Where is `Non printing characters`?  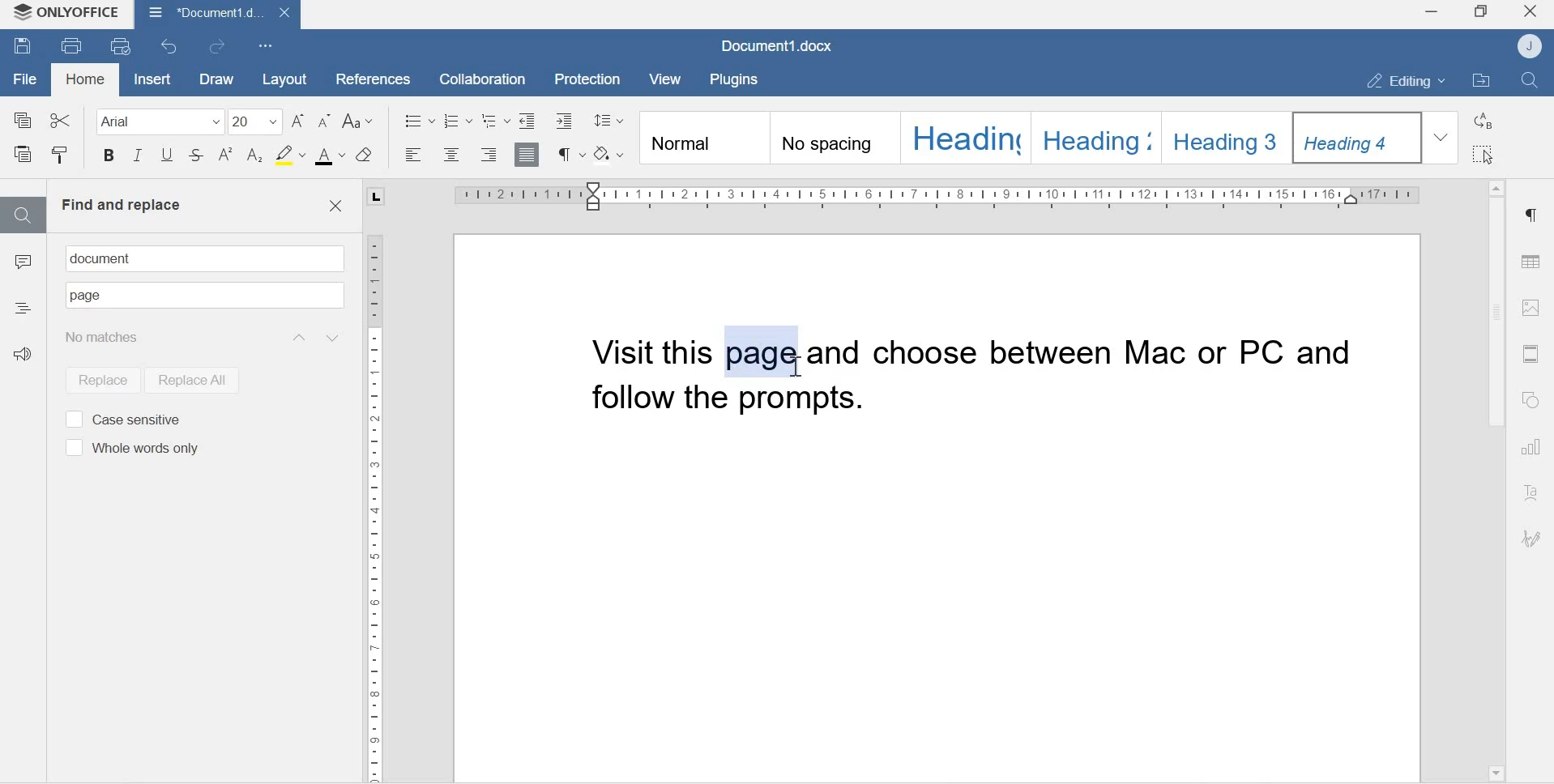 Non printing characters is located at coordinates (570, 154).